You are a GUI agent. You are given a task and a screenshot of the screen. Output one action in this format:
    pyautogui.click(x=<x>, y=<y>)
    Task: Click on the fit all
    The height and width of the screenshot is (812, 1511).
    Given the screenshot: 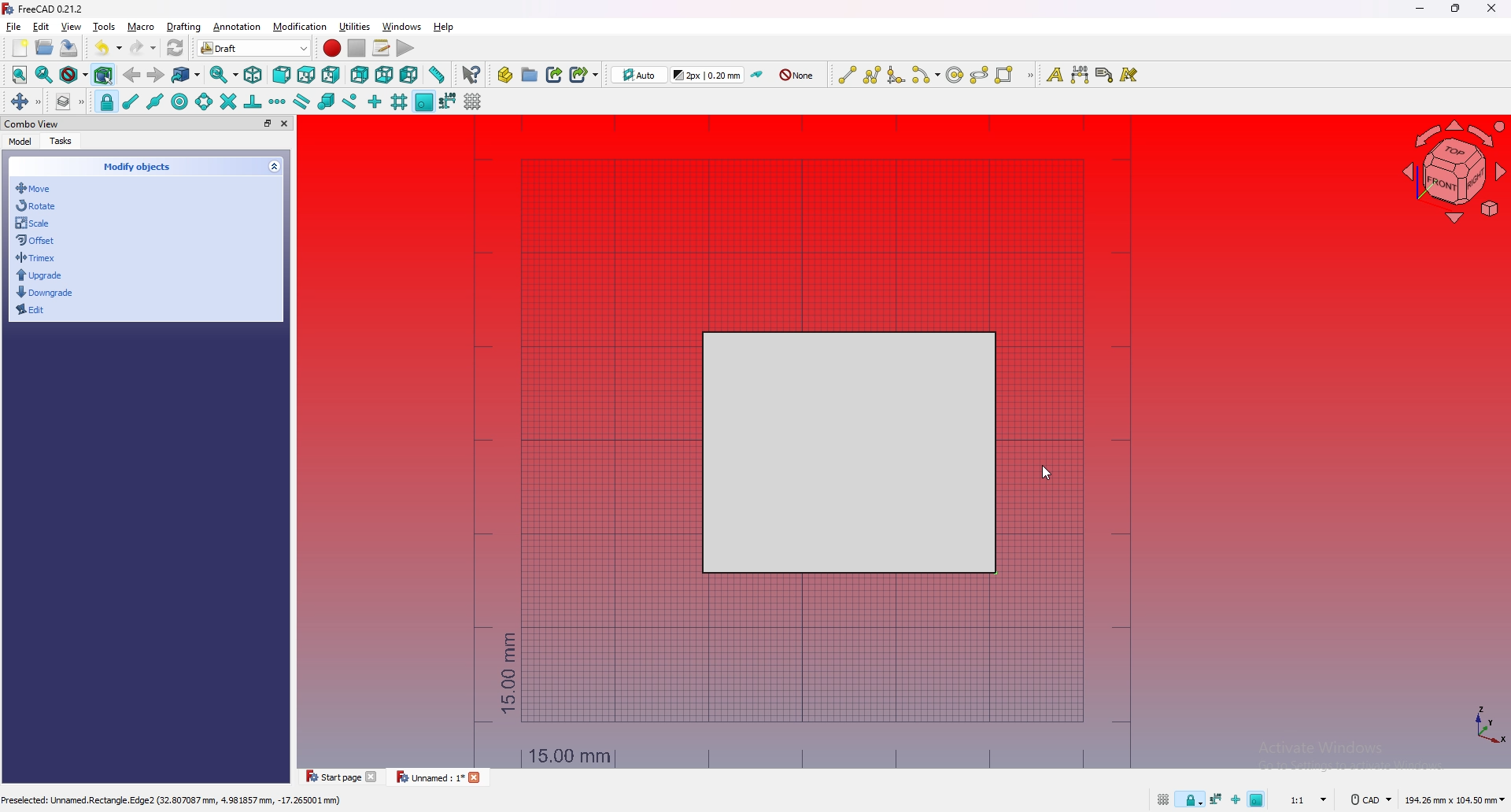 What is the action you would take?
    pyautogui.click(x=20, y=75)
    